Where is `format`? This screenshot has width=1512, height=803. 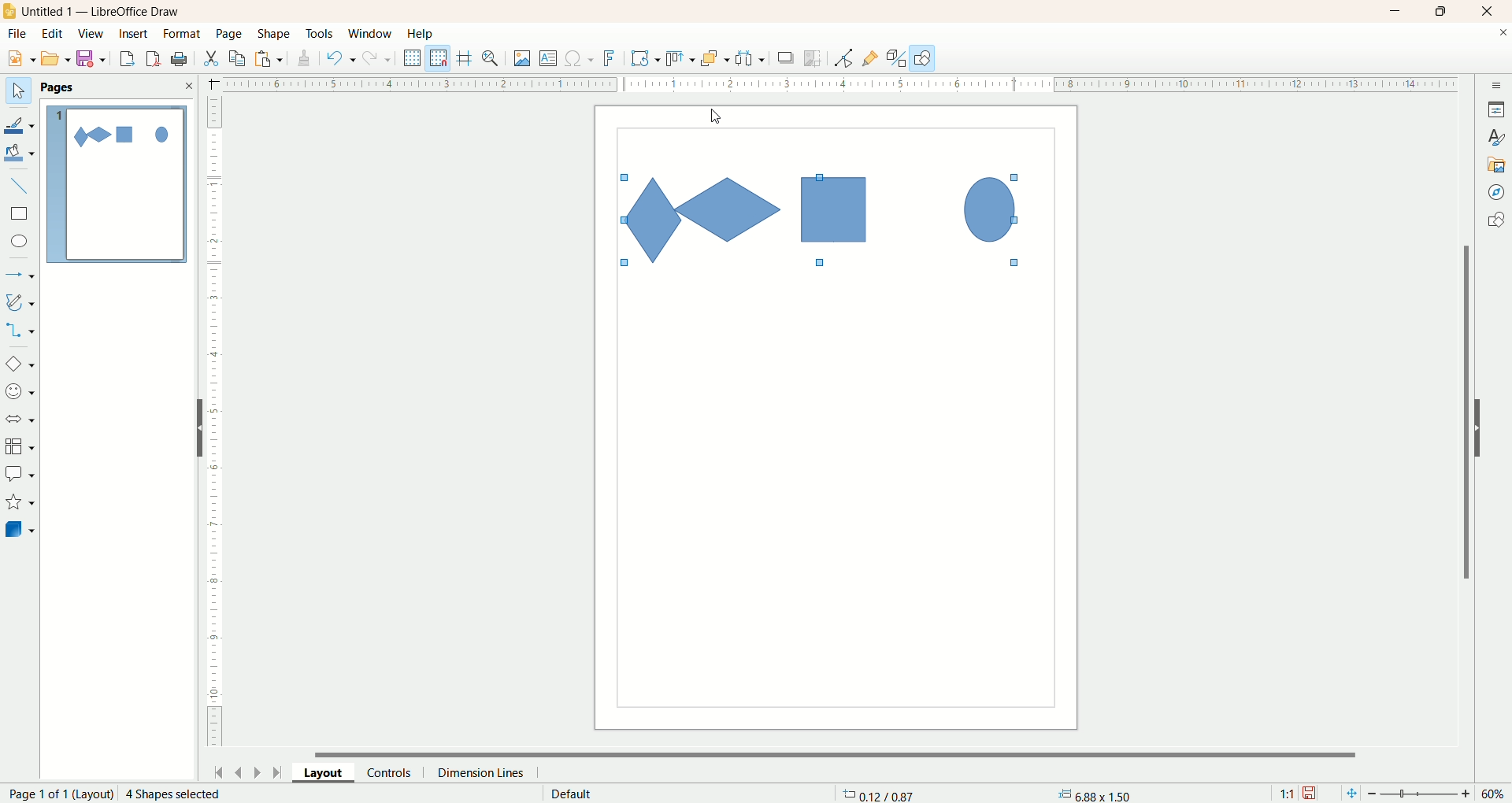 format is located at coordinates (183, 35).